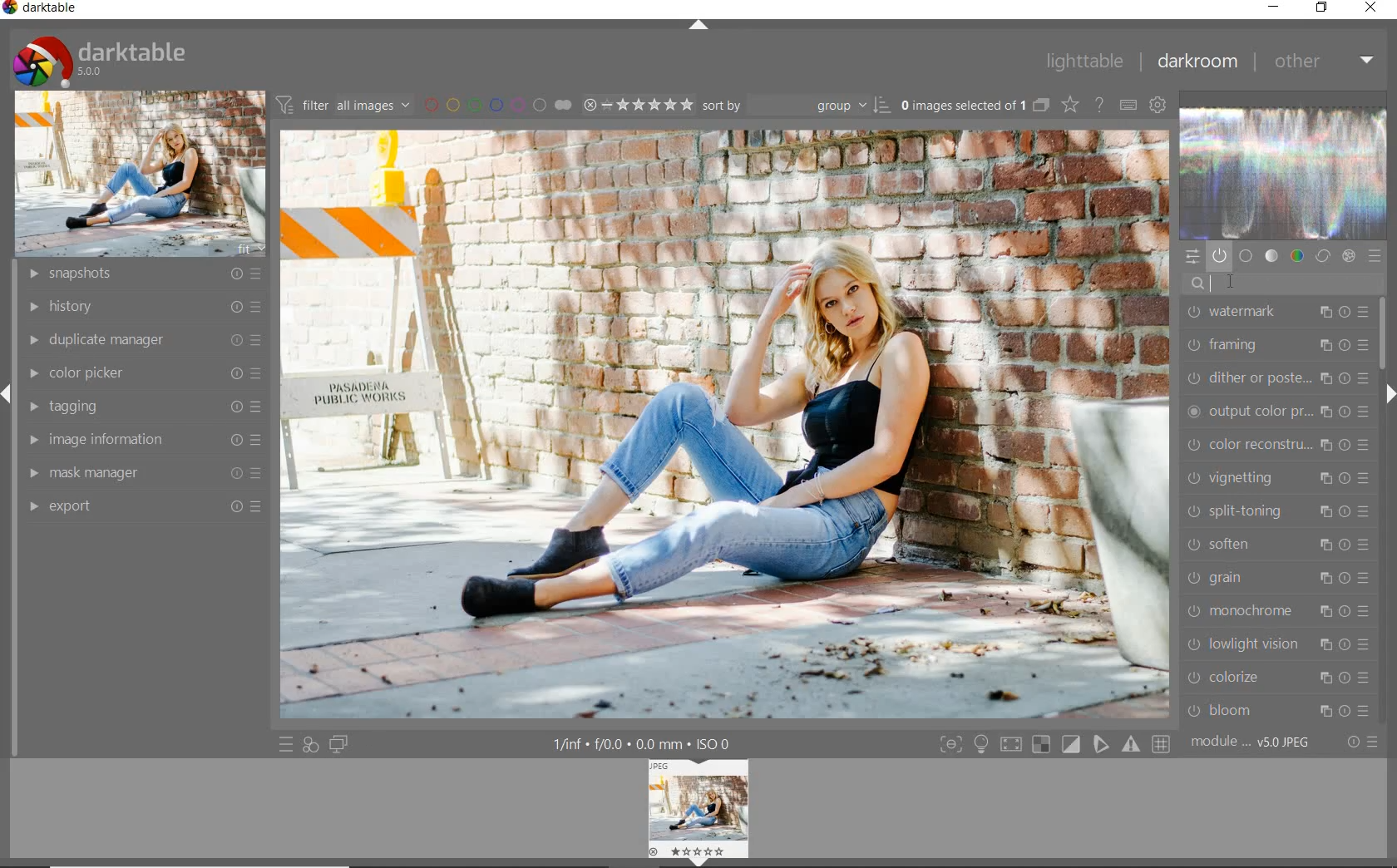 The width and height of the screenshot is (1397, 868). I want to click on selected image, so click(724, 423).